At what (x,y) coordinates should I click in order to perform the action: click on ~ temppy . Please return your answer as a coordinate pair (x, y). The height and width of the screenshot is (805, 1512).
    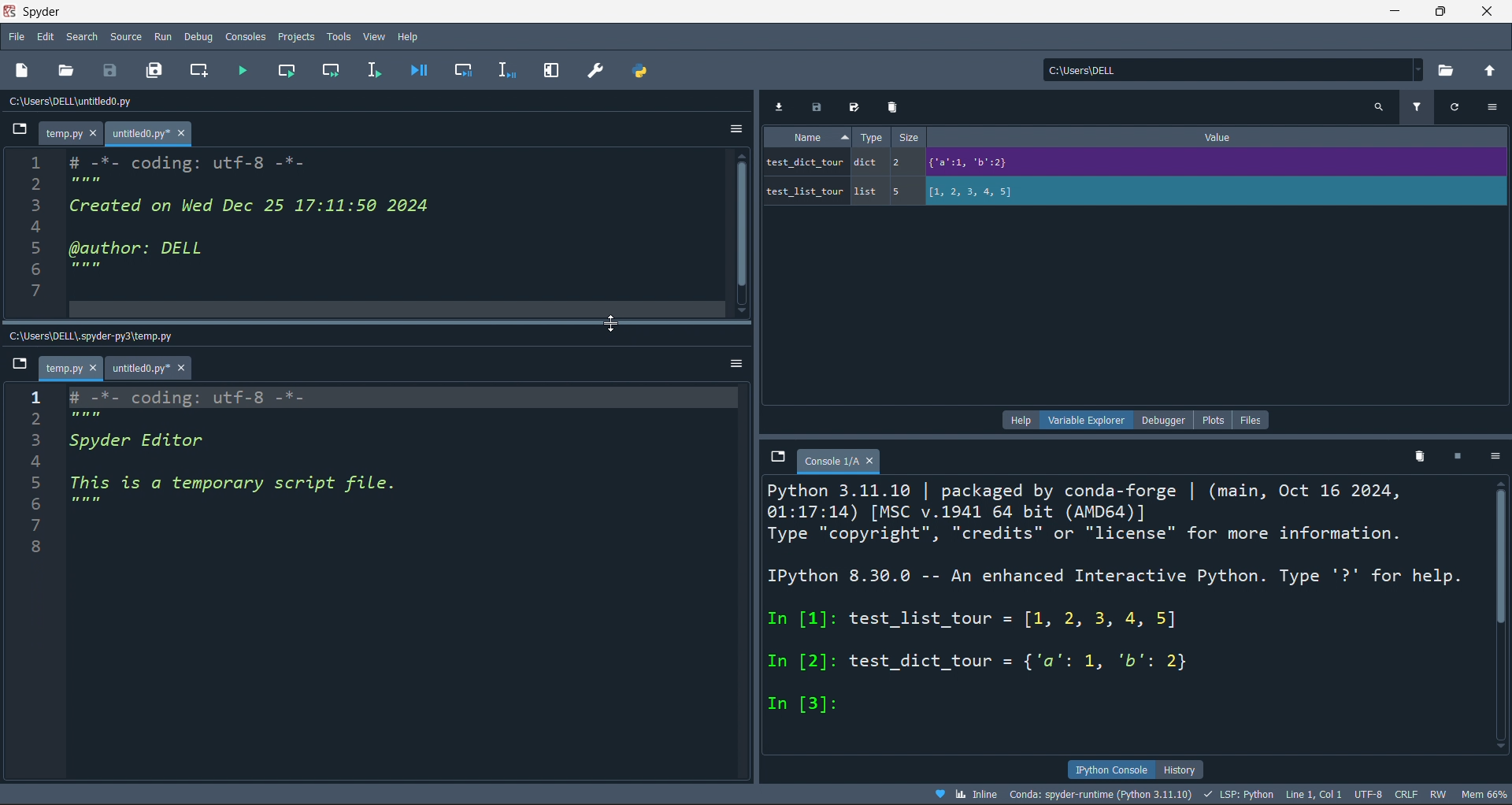
    Looking at the image, I should click on (69, 369).